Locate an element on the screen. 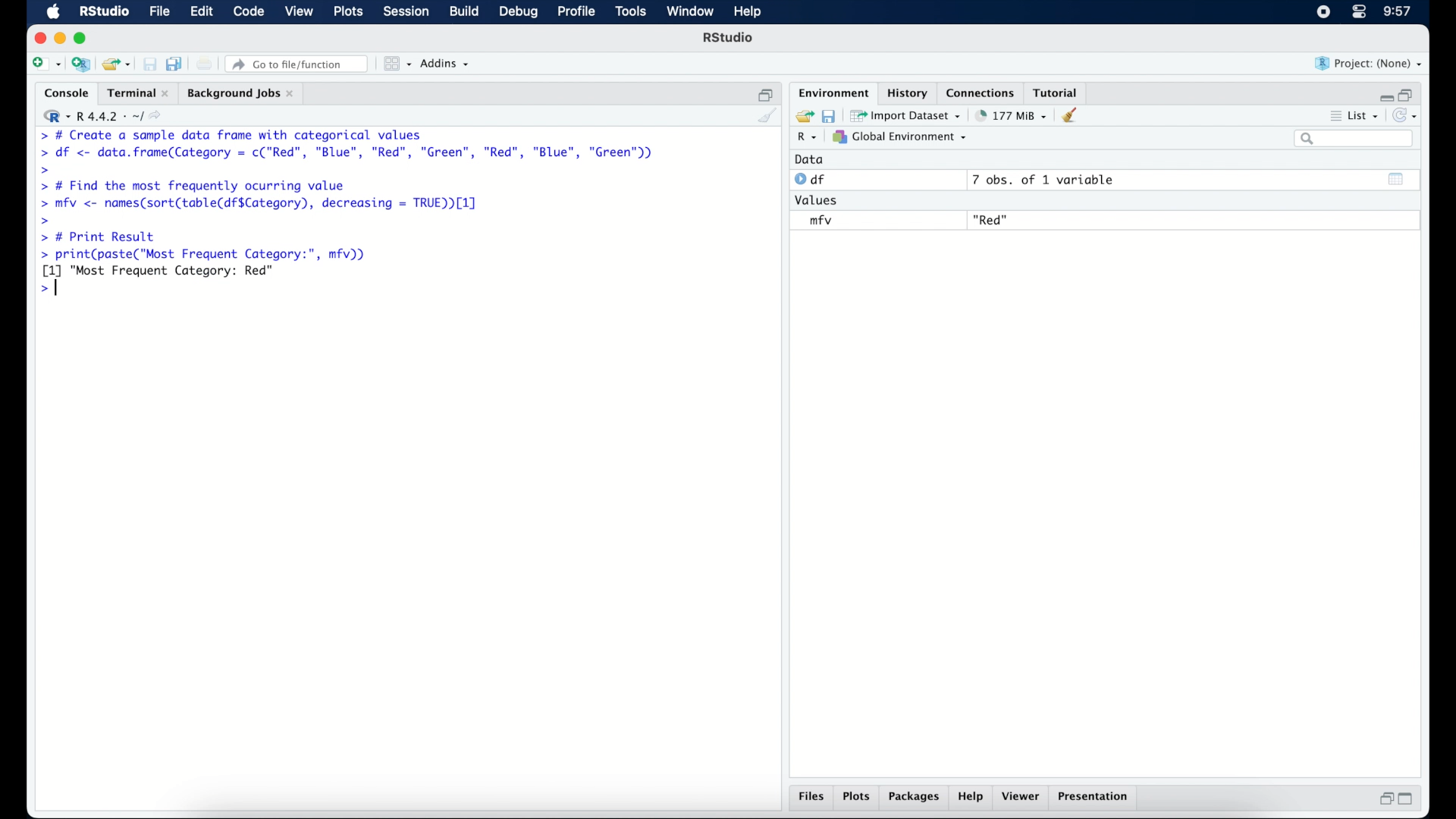 The height and width of the screenshot is (819, 1456). restore down is located at coordinates (1410, 93).